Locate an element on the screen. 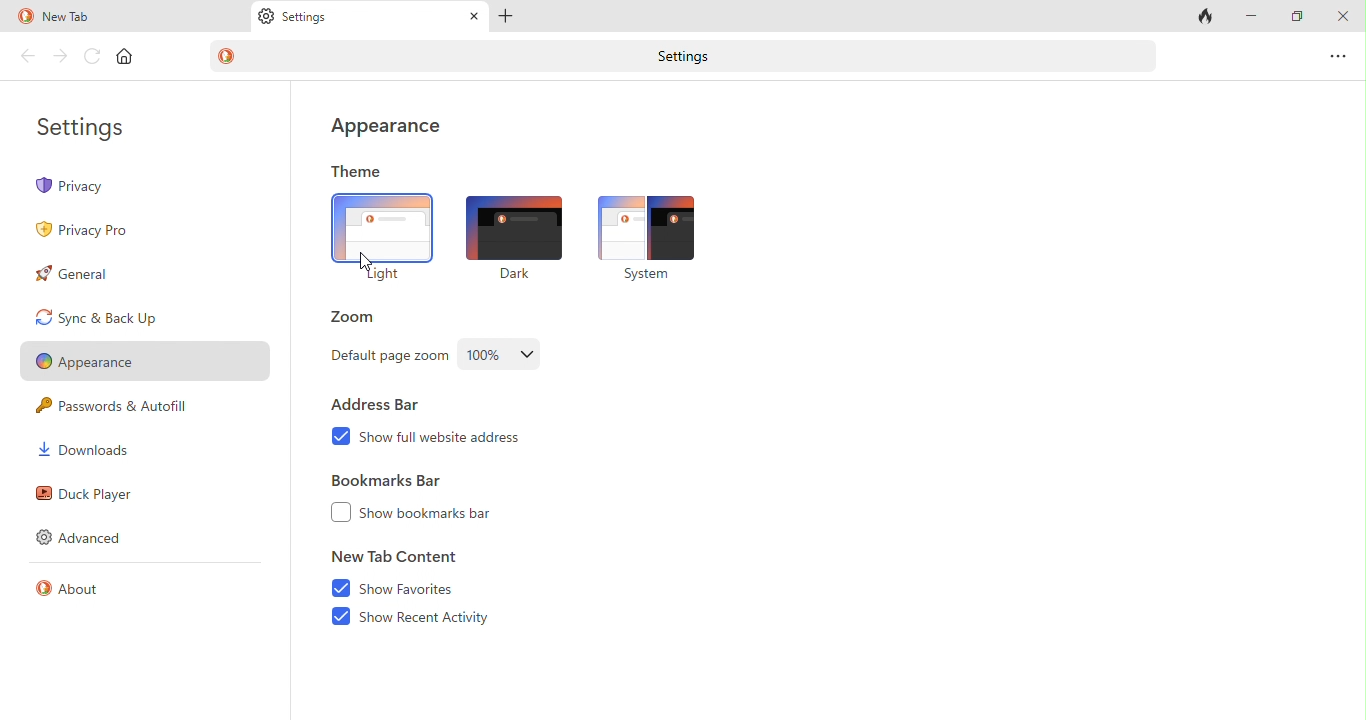  cursor is located at coordinates (367, 263).